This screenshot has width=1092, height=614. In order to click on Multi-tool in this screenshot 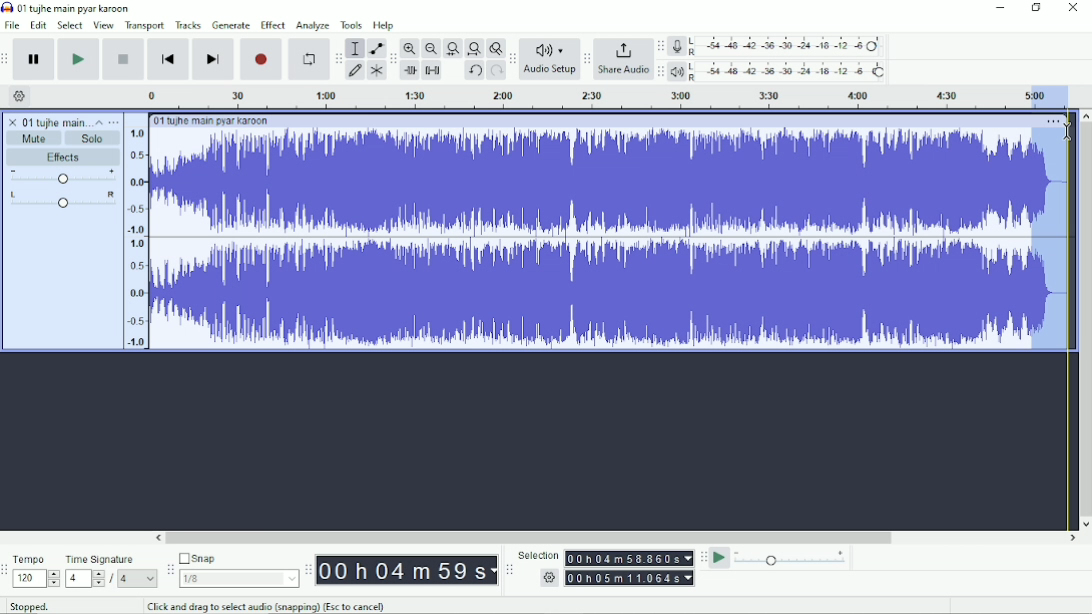, I will do `click(376, 70)`.